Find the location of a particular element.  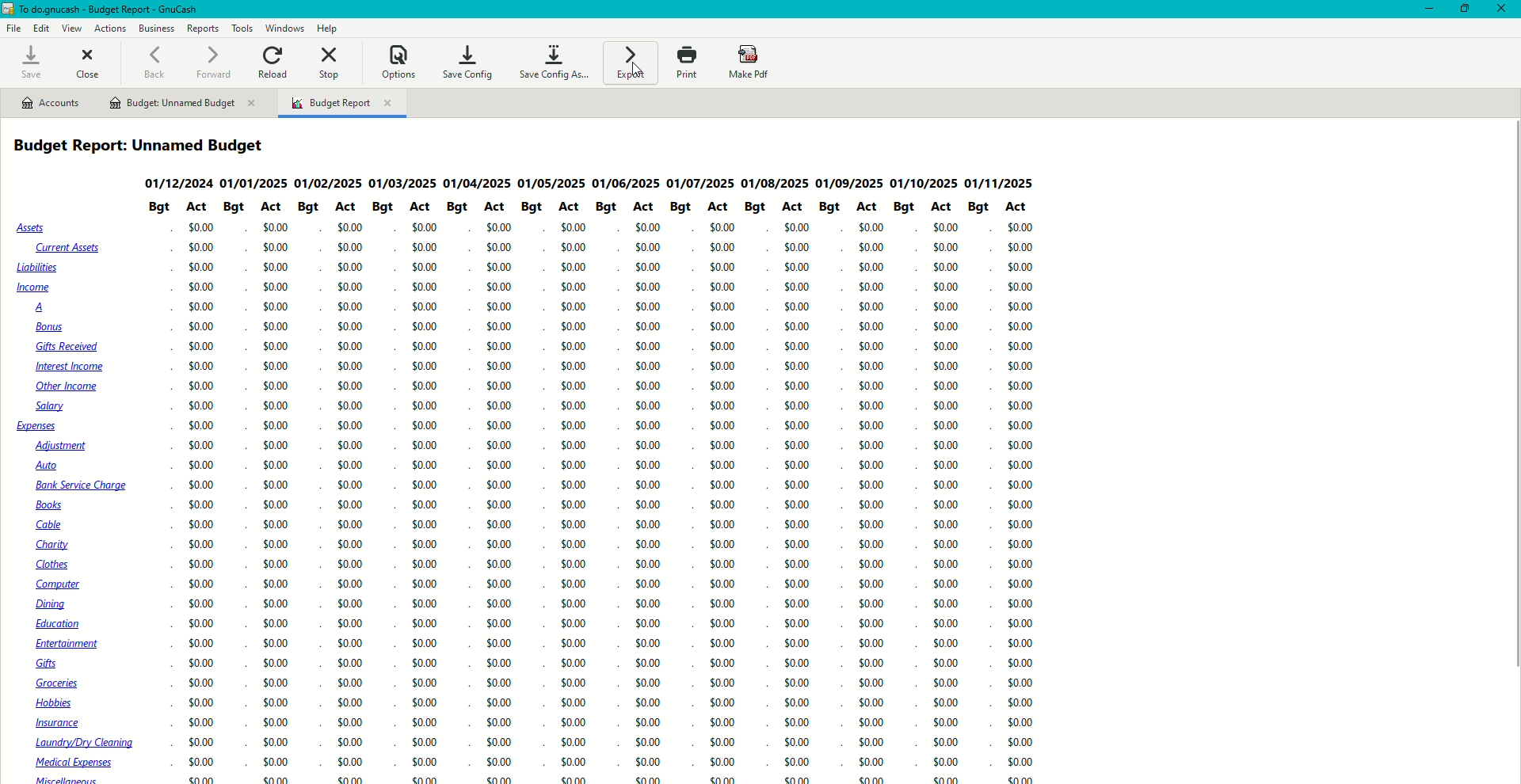

01/06/2025 is located at coordinates (630, 184).